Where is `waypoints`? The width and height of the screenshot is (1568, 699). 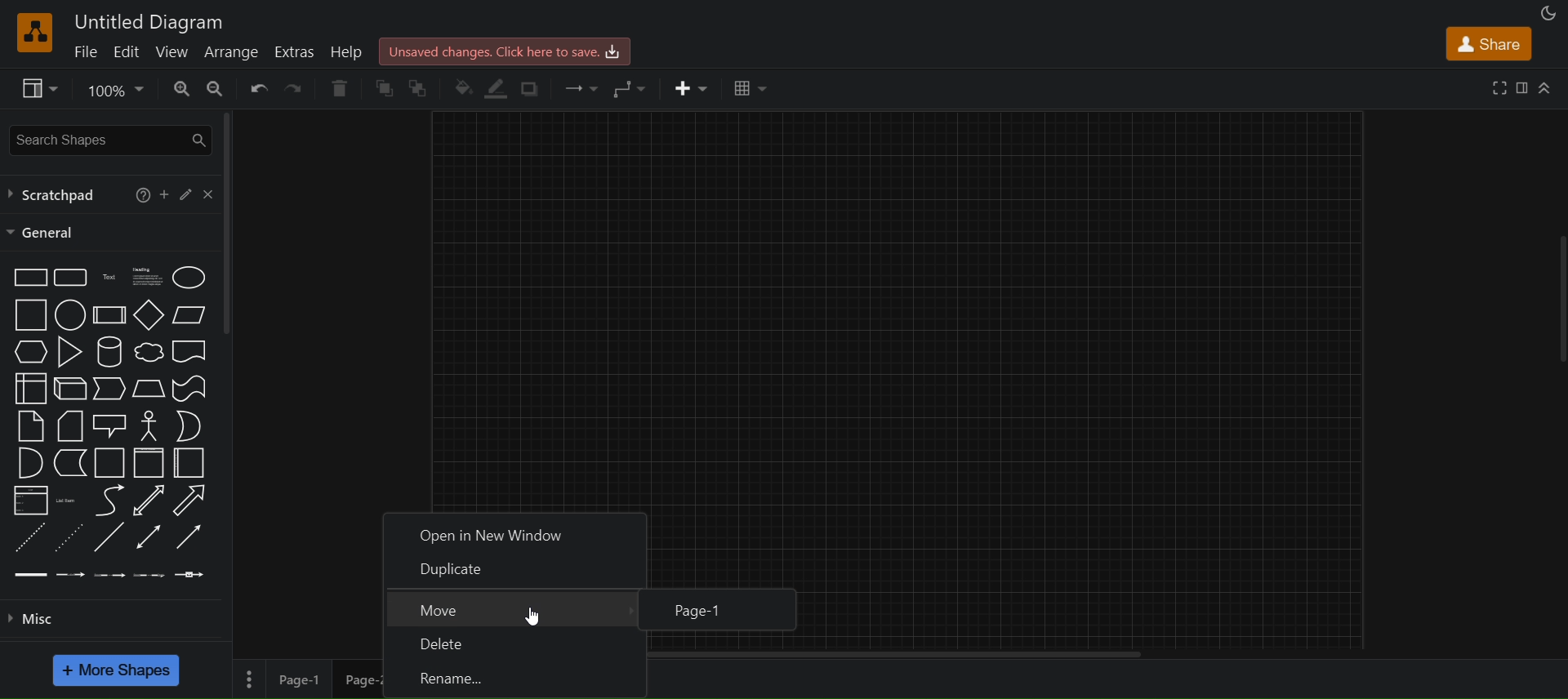
waypoints is located at coordinates (629, 88).